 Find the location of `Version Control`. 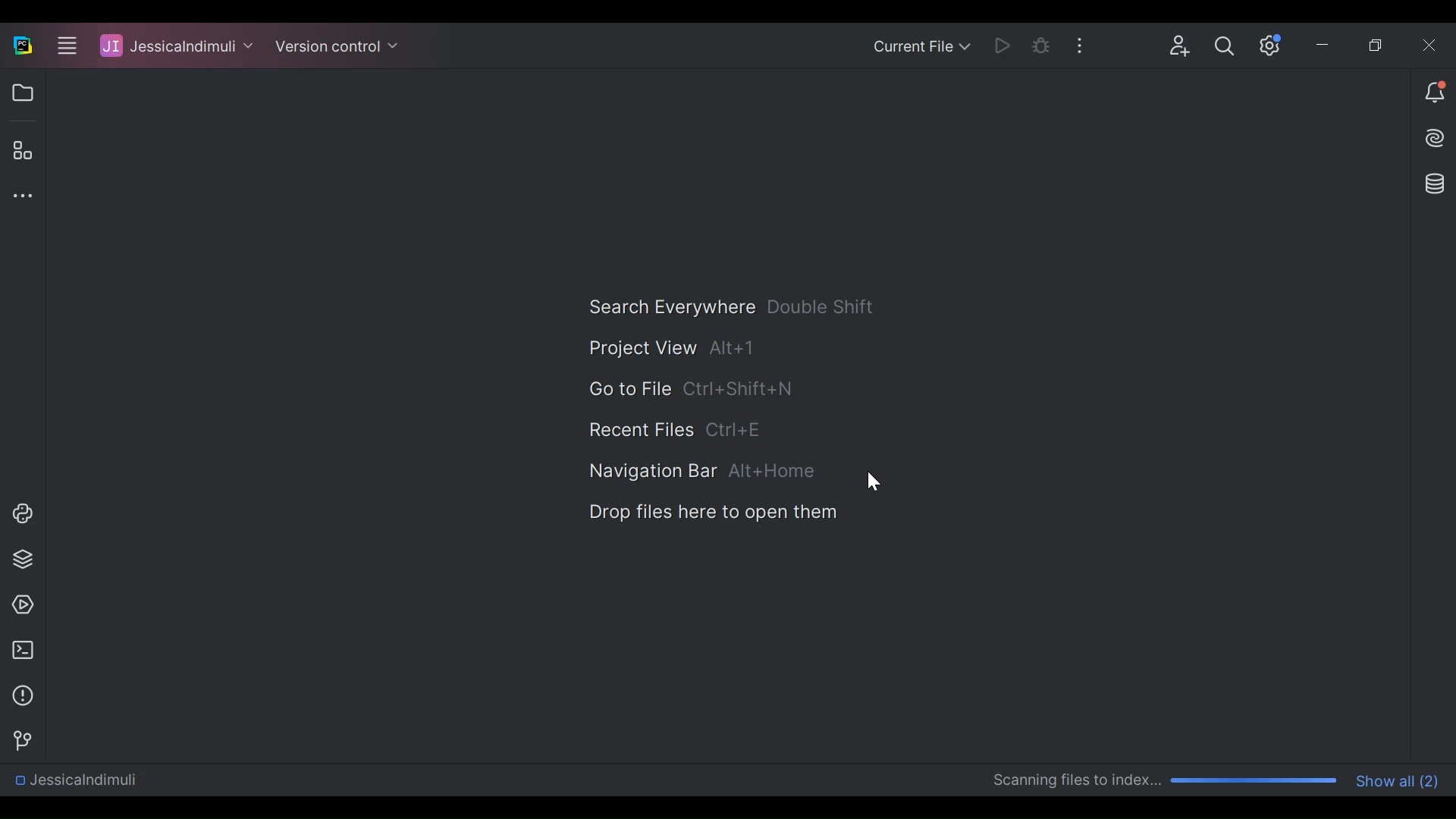

Version Control is located at coordinates (340, 46).